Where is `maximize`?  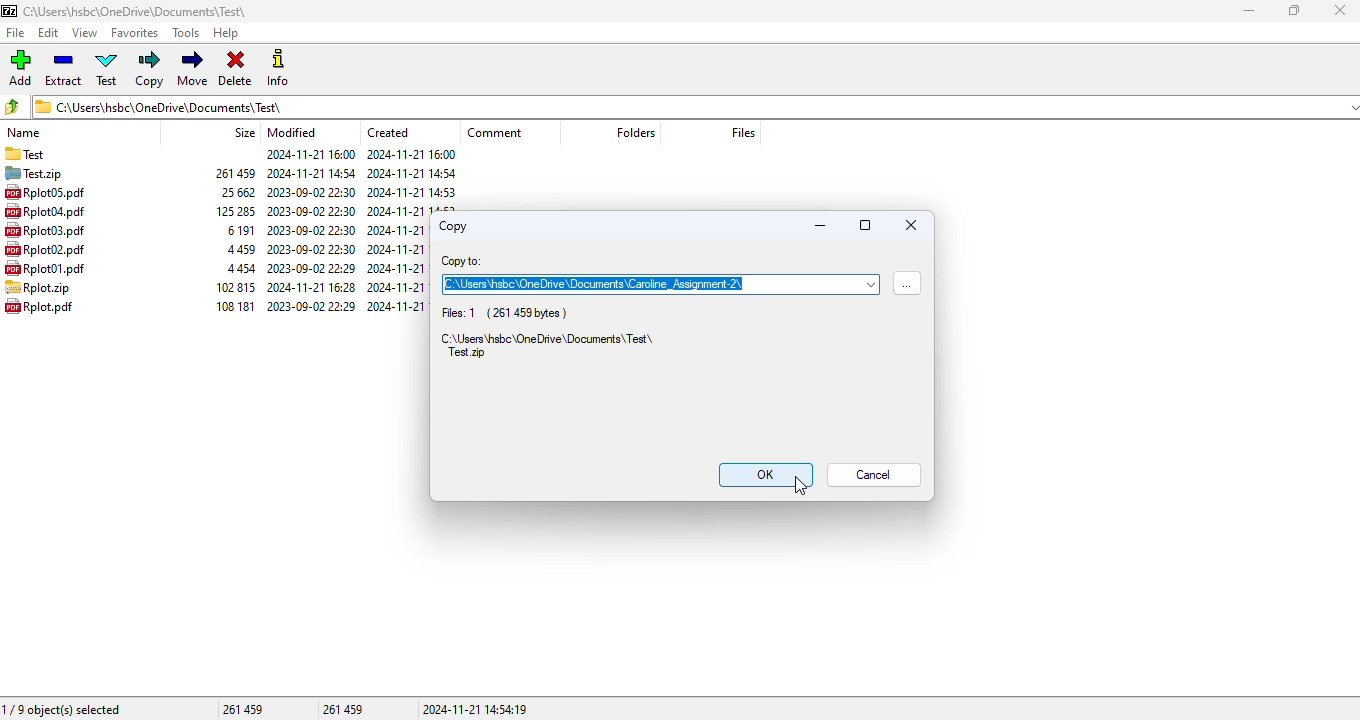
maximize is located at coordinates (865, 225).